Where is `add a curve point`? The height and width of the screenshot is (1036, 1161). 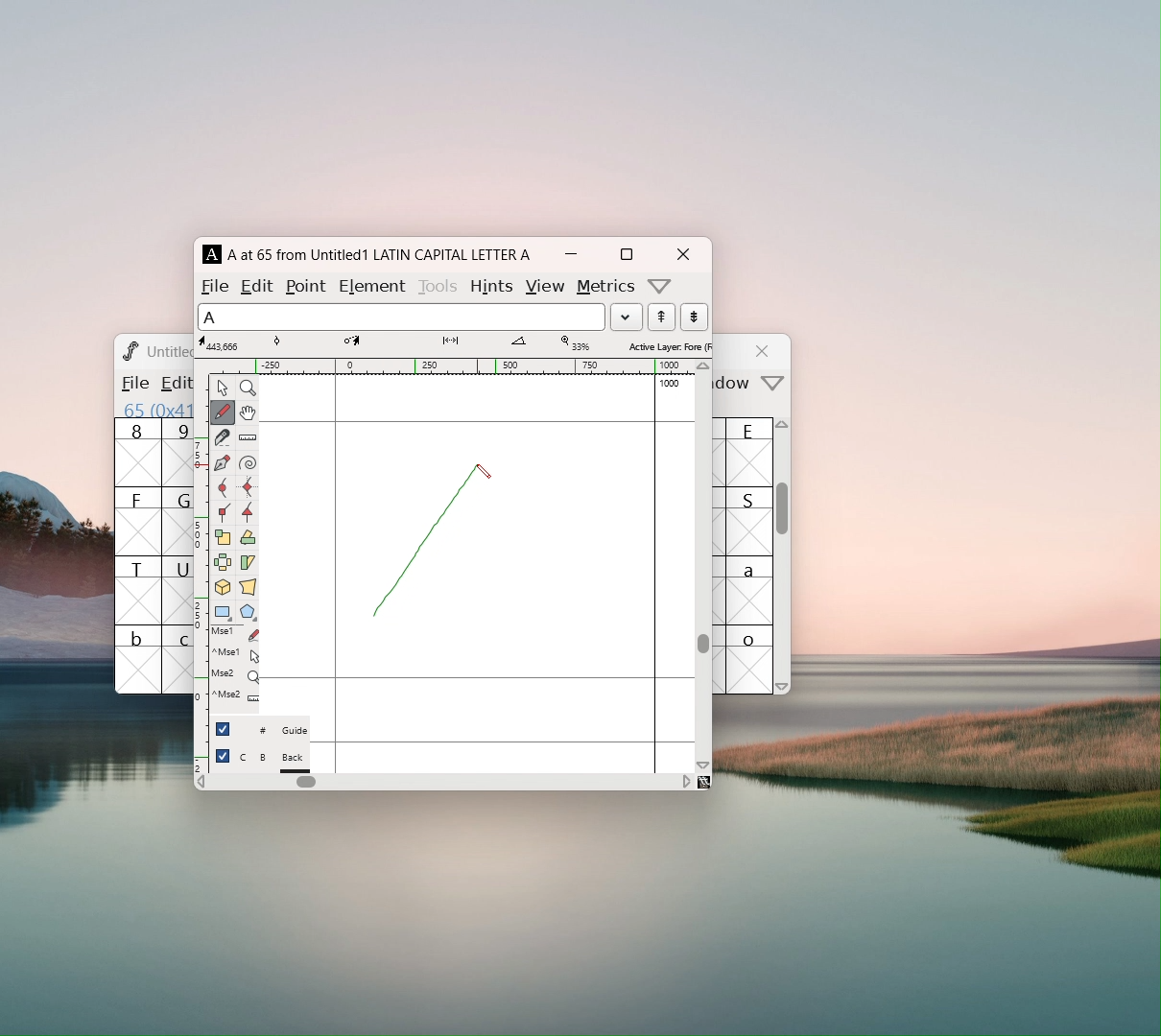
add a curve point is located at coordinates (222, 488).